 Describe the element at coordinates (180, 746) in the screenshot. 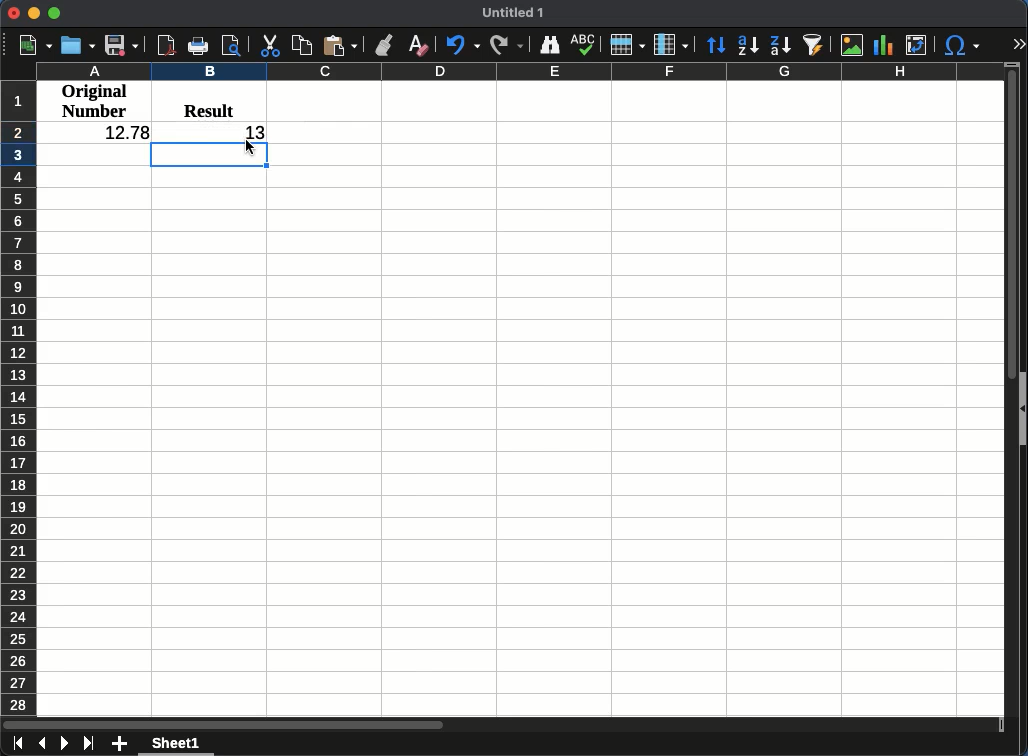

I see `sheet 1` at that location.